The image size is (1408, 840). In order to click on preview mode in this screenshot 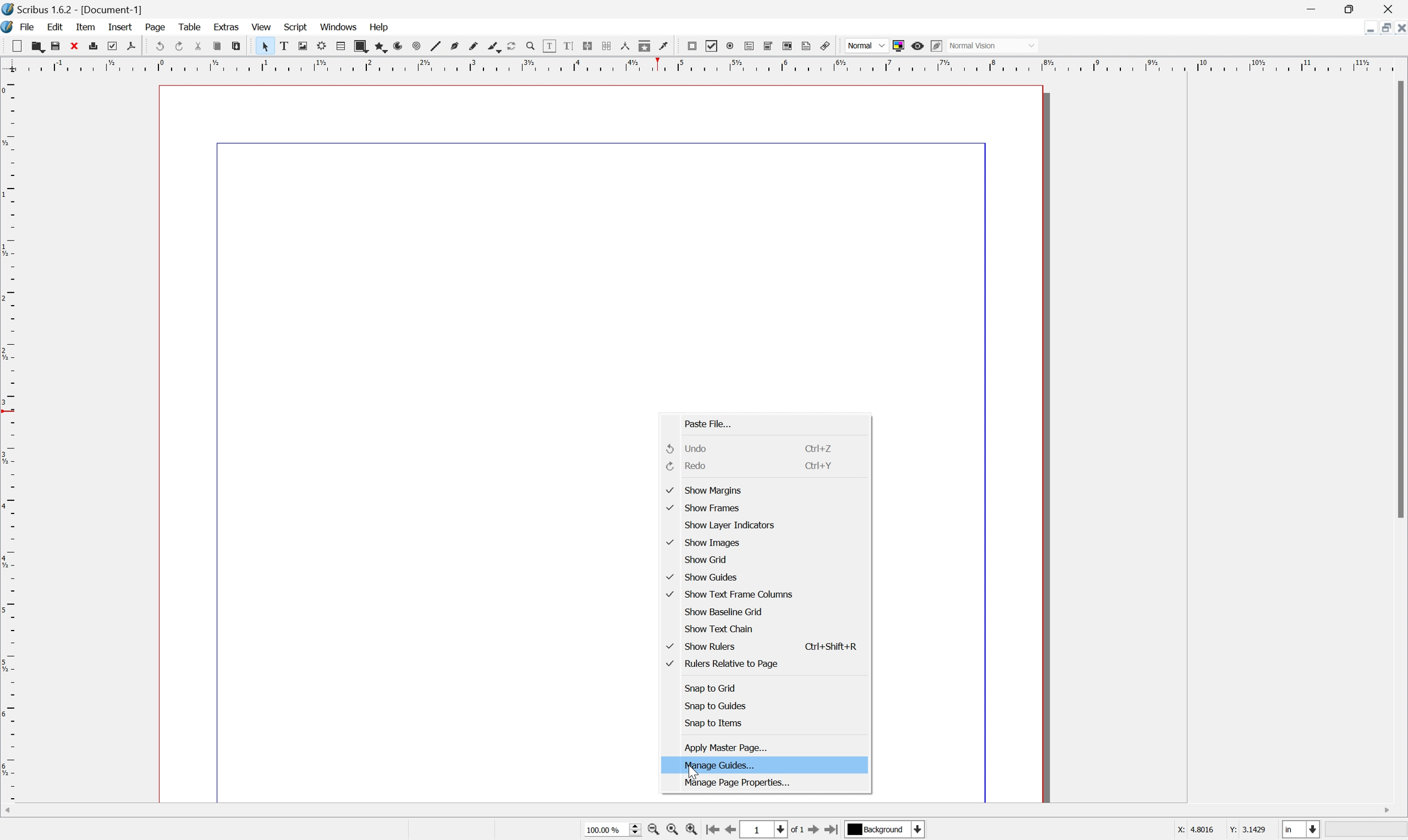, I will do `click(918, 46)`.